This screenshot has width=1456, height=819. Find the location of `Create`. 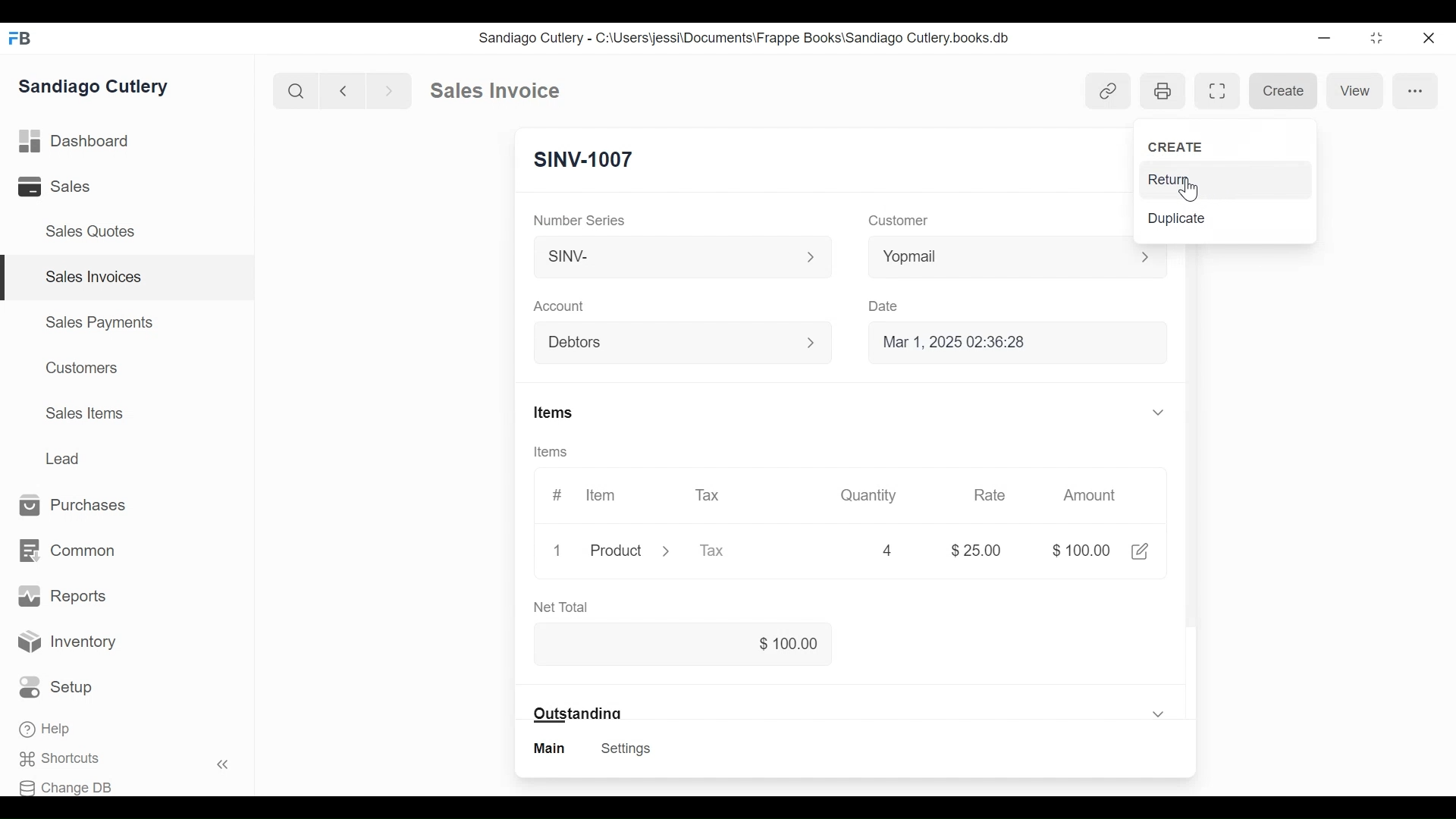

Create is located at coordinates (1285, 89).